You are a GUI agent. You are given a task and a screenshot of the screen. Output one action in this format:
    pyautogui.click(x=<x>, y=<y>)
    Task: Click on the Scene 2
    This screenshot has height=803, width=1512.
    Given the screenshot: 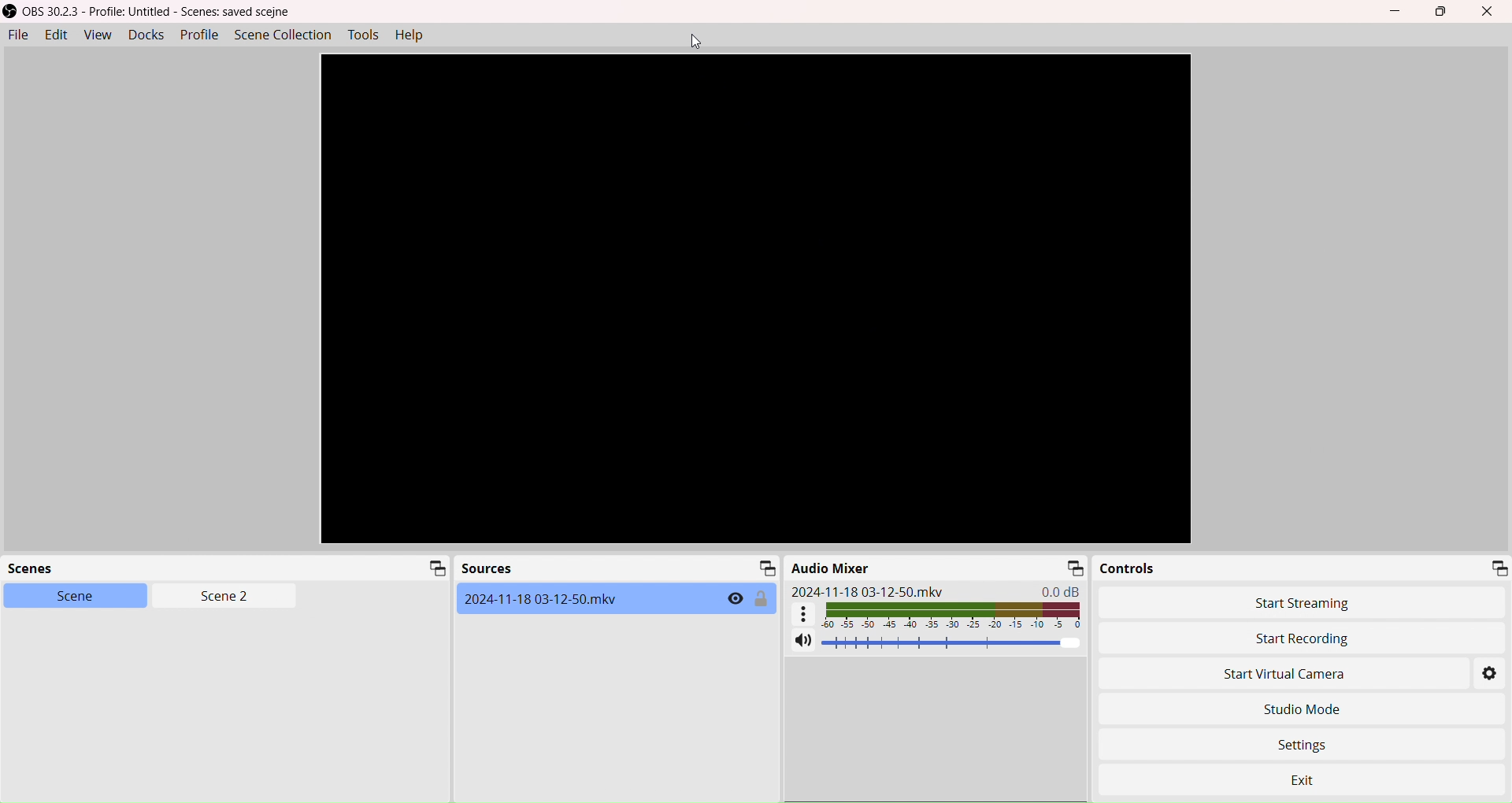 What is the action you would take?
    pyautogui.click(x=217, y=597)
    